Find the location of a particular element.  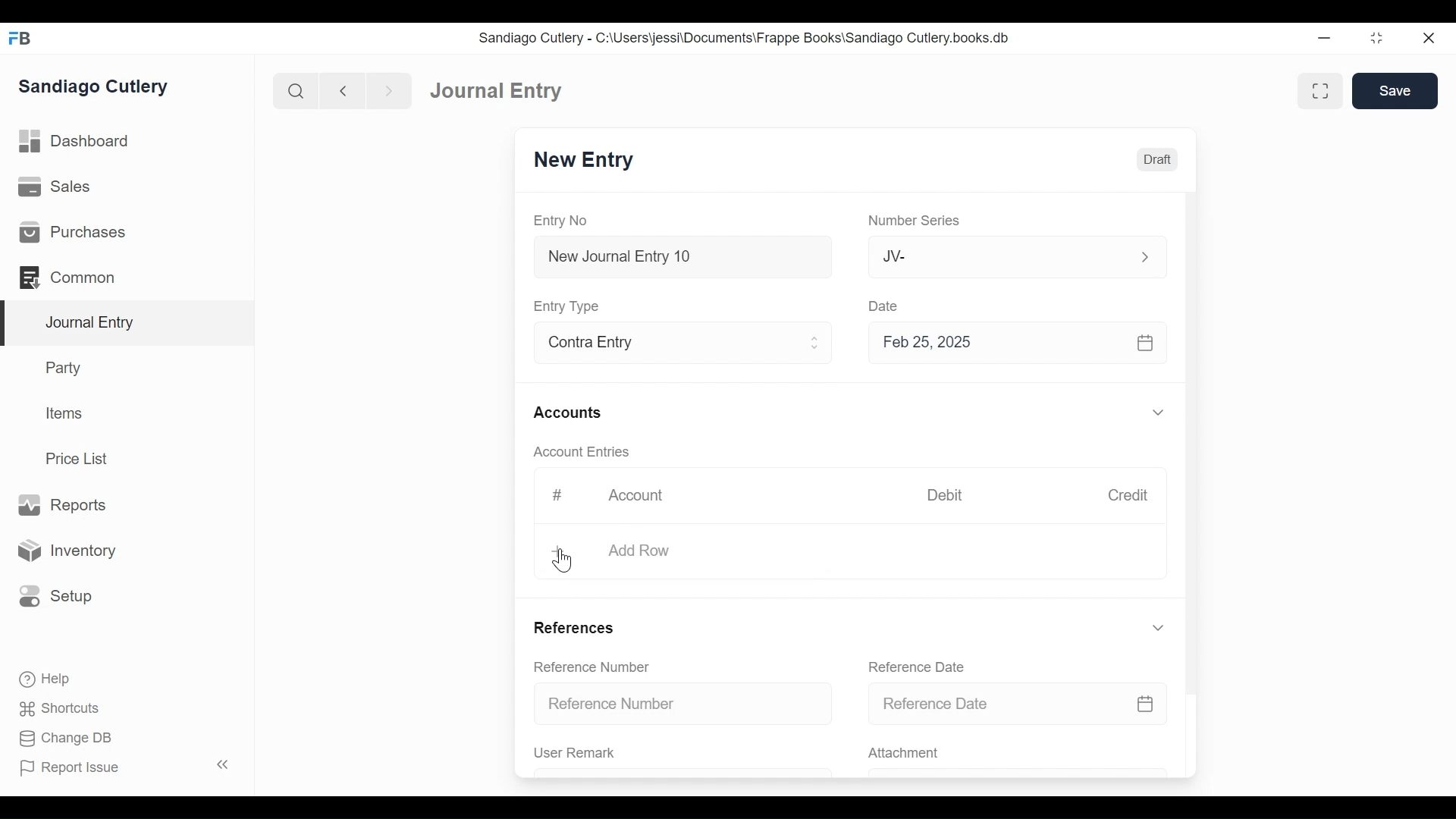

Navigate Forward is located at coordinates (390, 89).